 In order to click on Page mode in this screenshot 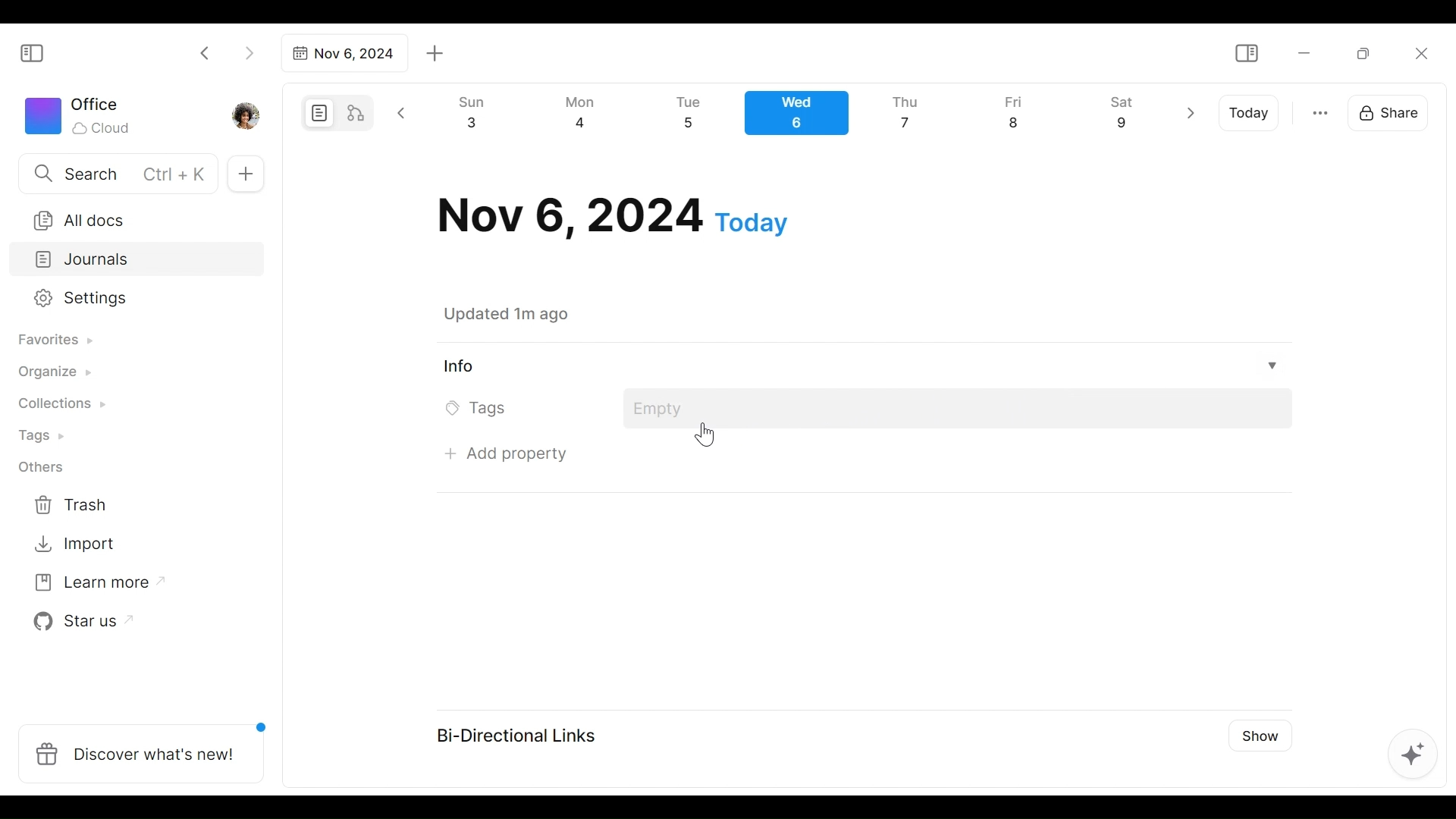, I will do `click(317, 113)`.